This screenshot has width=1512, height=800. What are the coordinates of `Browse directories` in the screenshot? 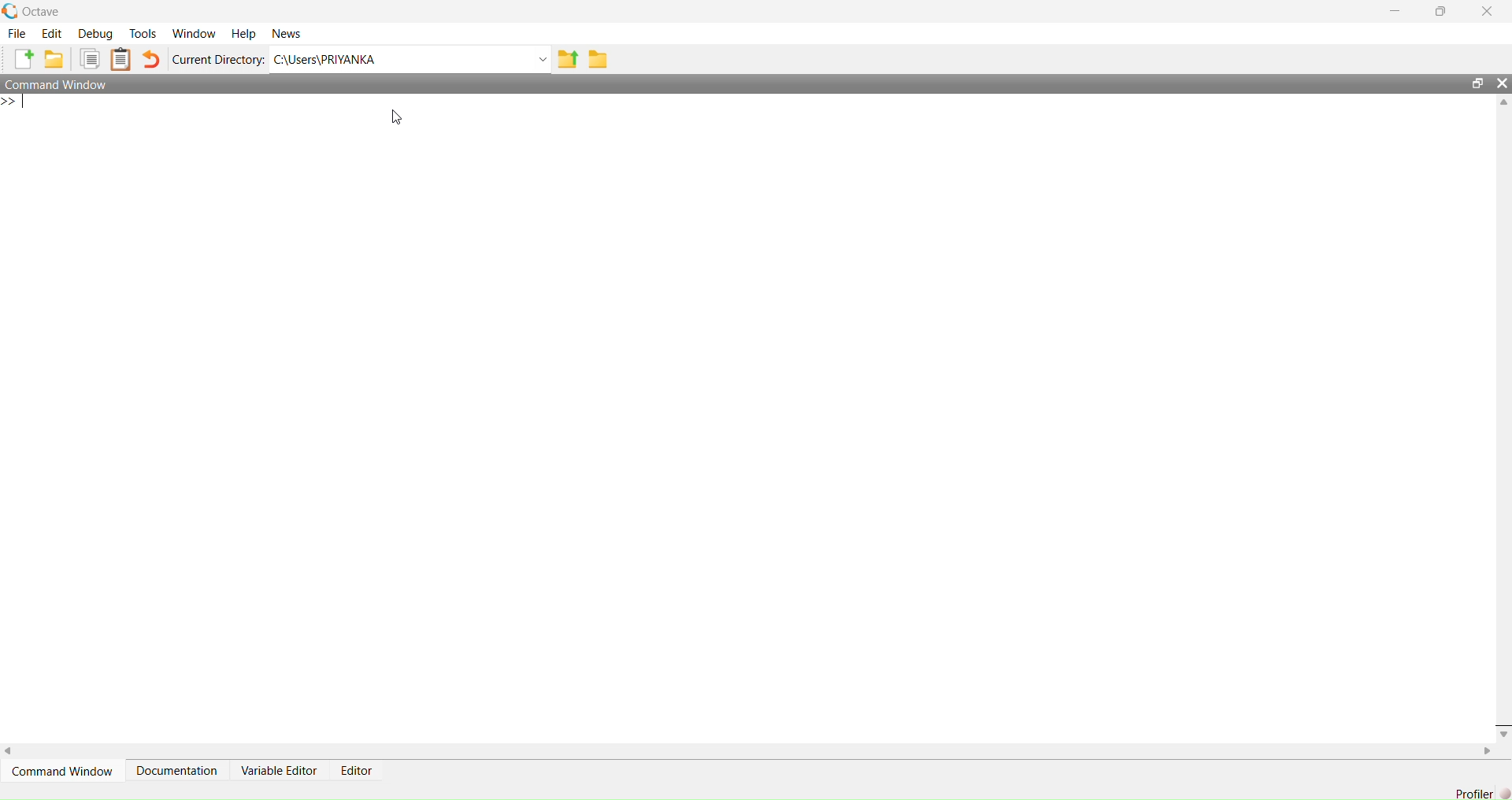 It's located at (596, 59).